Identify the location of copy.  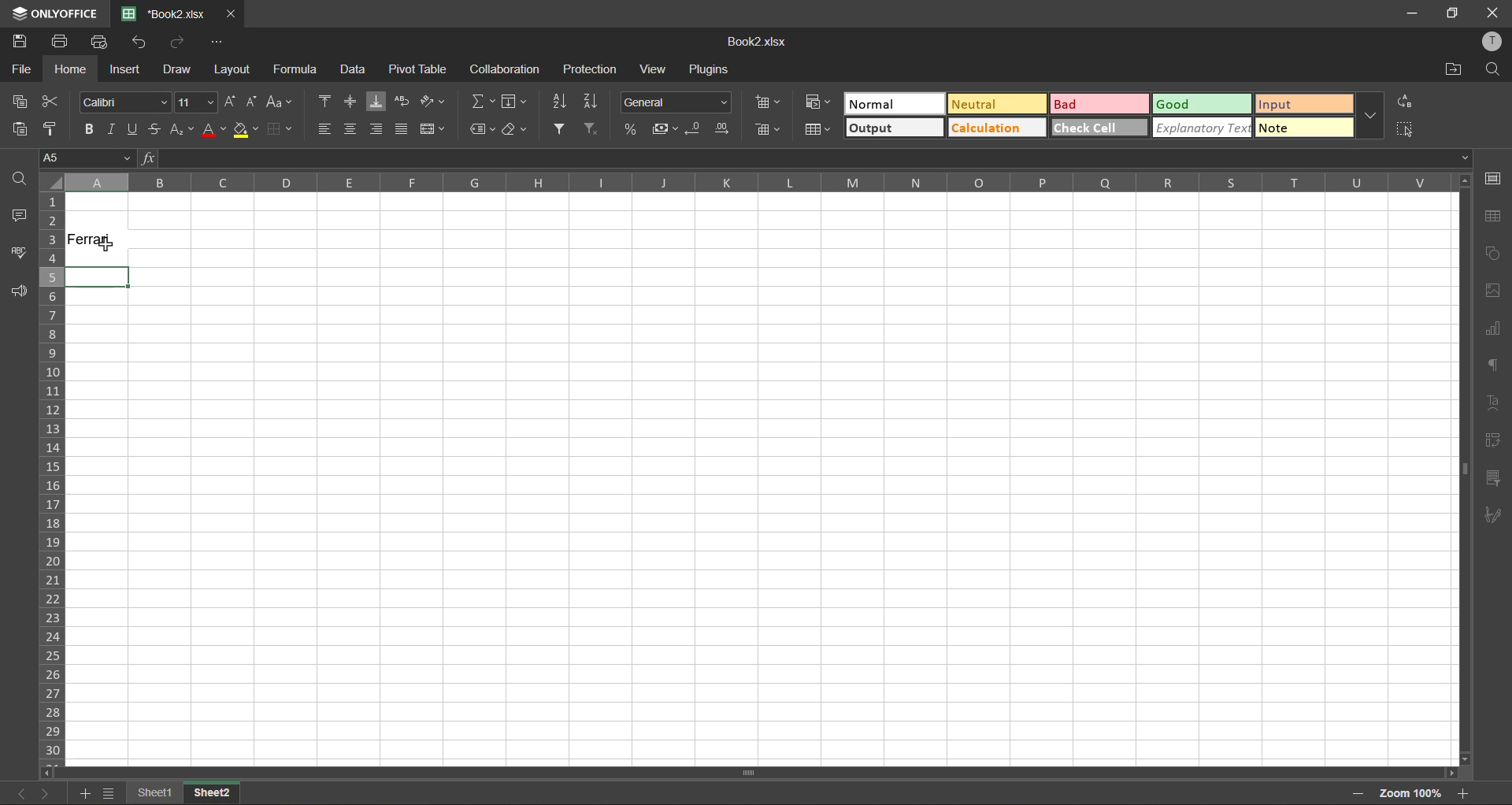
(20, 102).